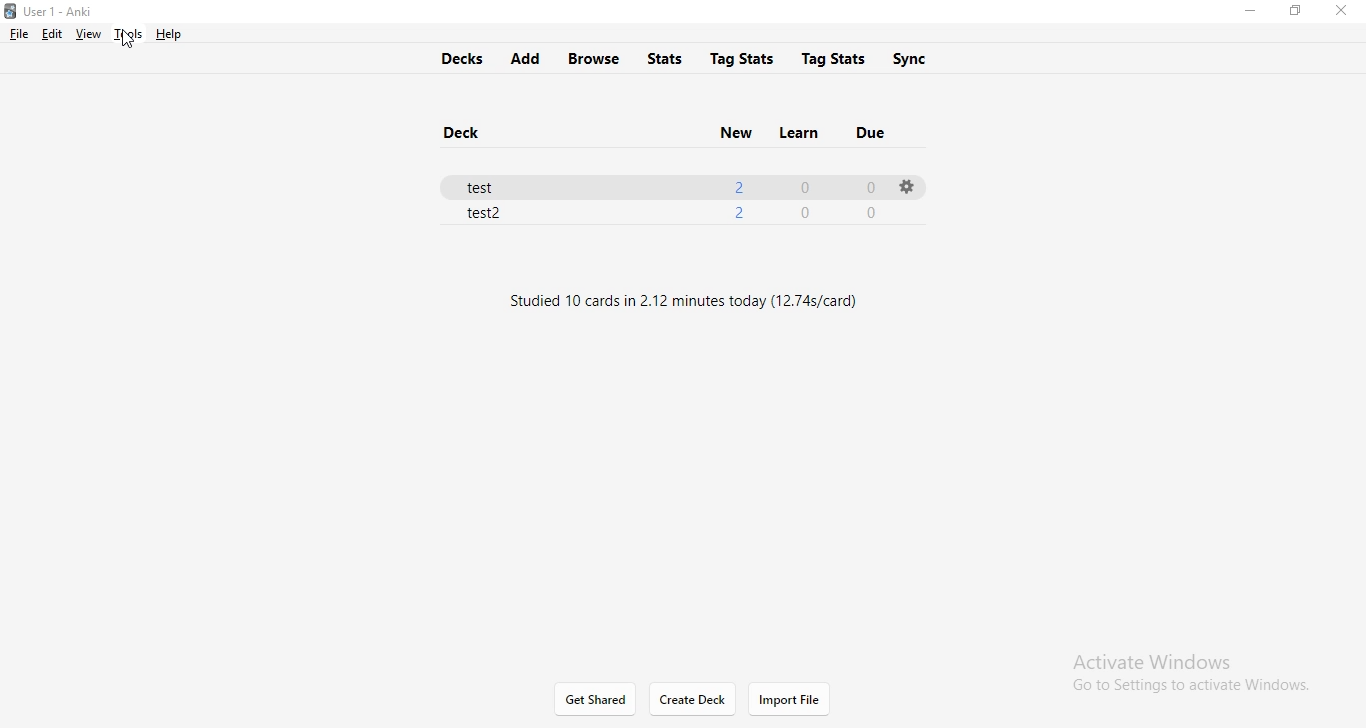 This screenshot has height=728, width=1366. Describe the element at coordinates (457, 56) in the screenshot. I see `decks` at that location.